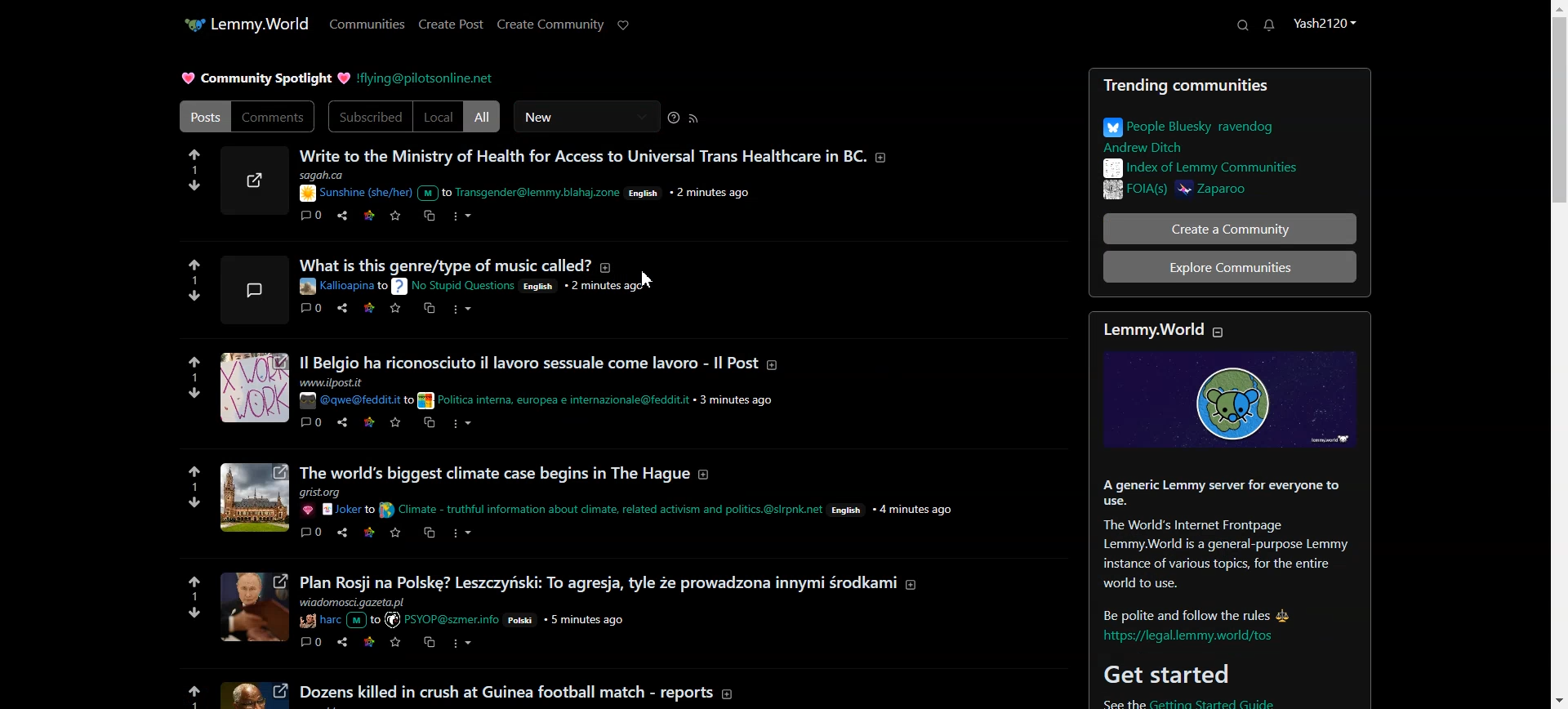 This screenshot has width=1568, height=709. Describe the element at coordinates (1230, 266) in the screenshot. I see `Explore Communities` at that location.